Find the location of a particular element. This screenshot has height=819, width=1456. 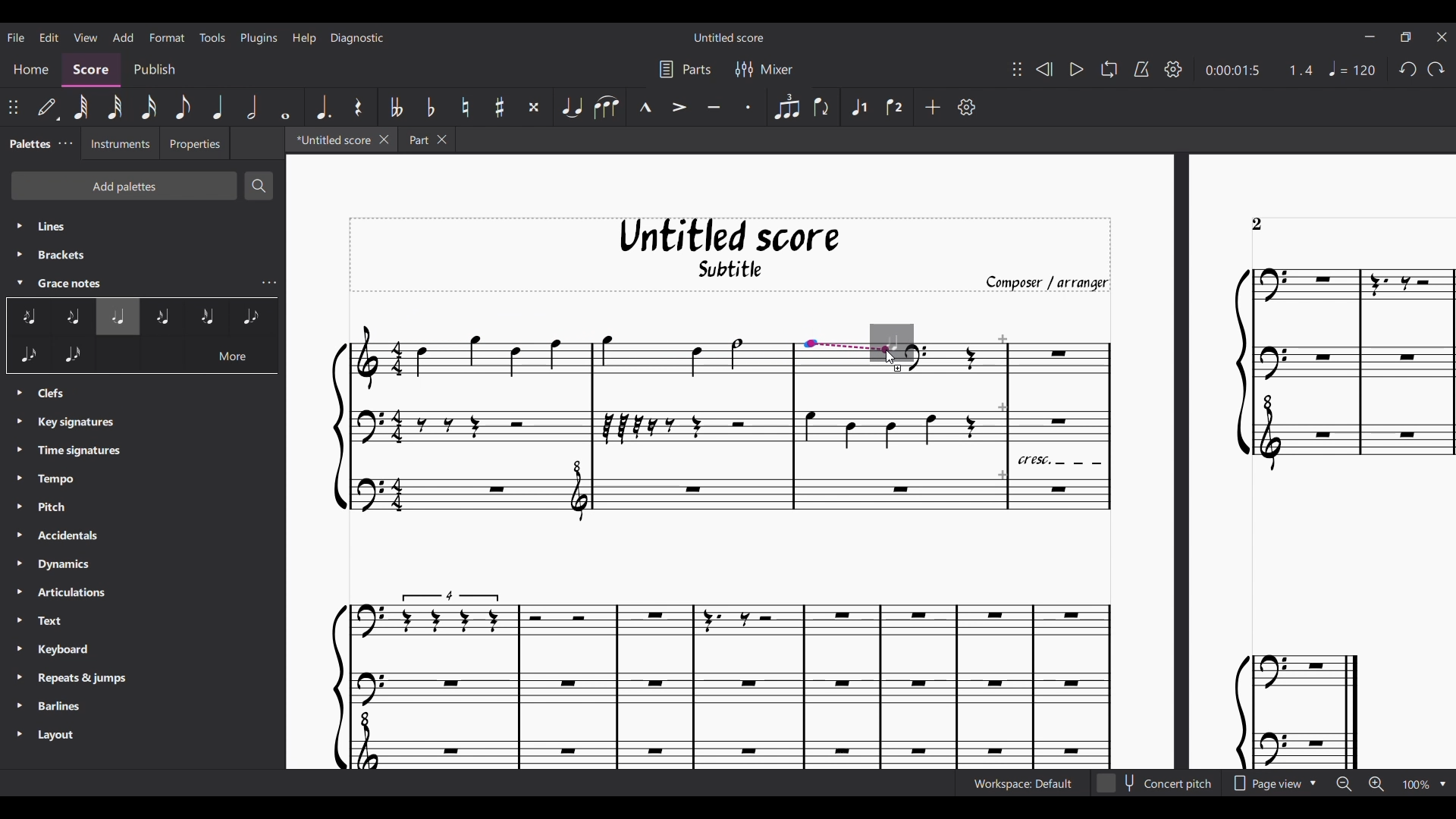

Instruments tab is located at coordinates (120, 143).